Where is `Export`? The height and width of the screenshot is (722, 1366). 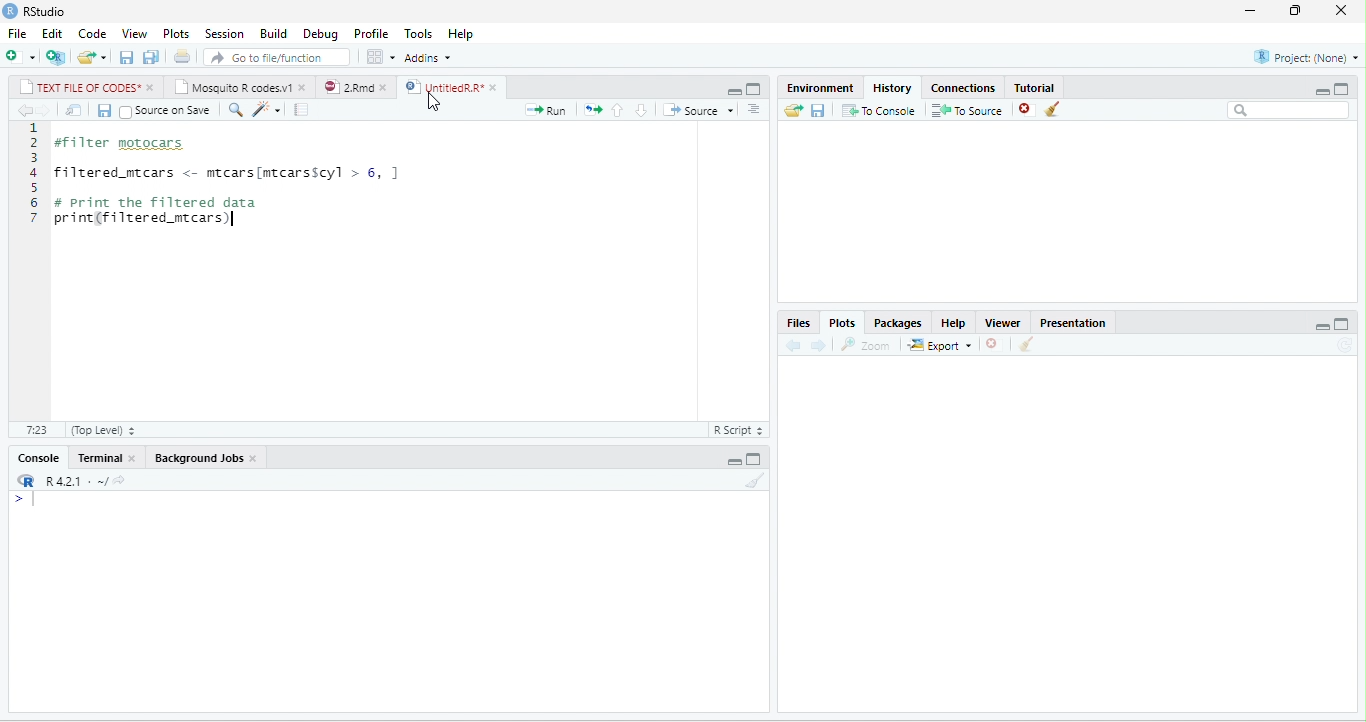 Export is located at coordinates (939, 345).